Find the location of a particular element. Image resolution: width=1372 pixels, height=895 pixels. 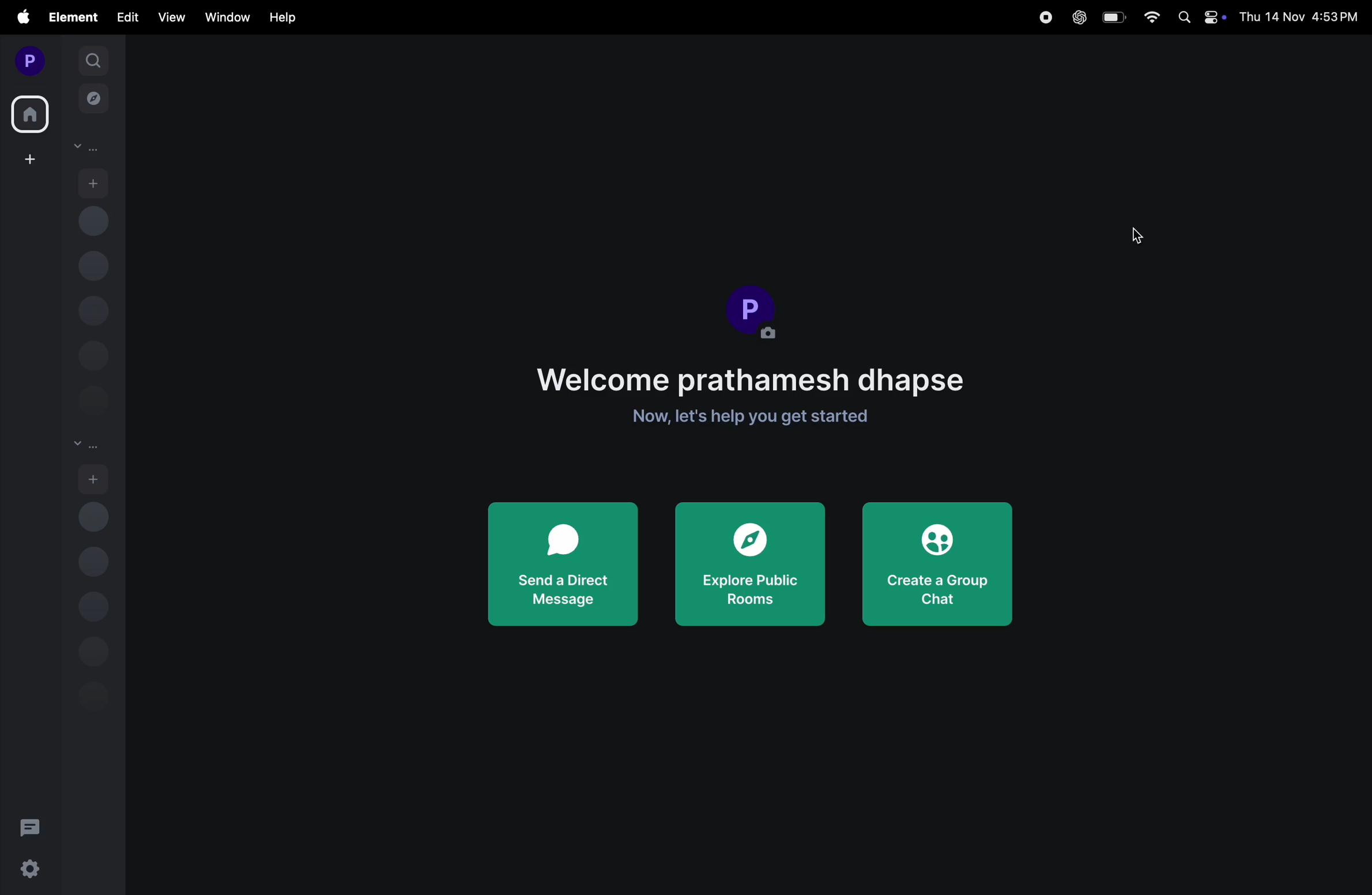

help is located at coordinates (288, 16).